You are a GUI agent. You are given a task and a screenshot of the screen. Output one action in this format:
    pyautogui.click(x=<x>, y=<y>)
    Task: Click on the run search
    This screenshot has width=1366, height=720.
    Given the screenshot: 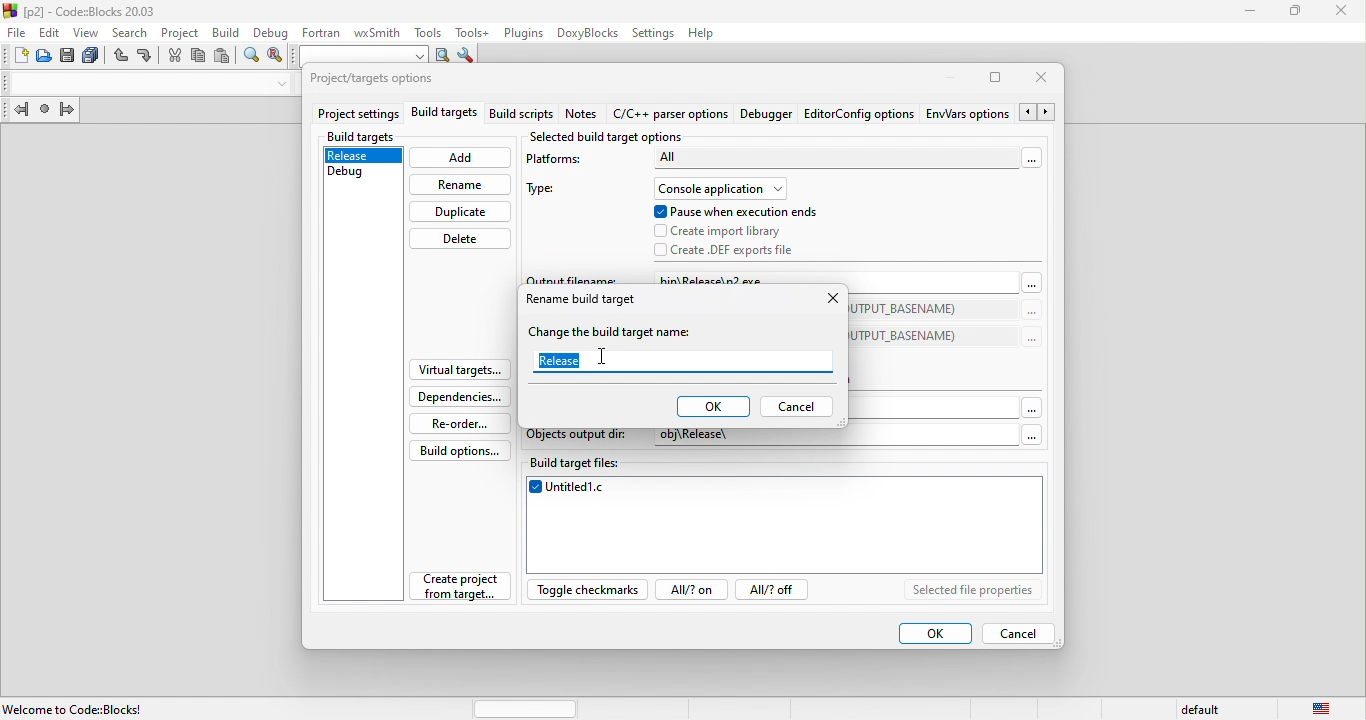 What is the action you would take?
    pyautogui.click(x=443, y=56)
    